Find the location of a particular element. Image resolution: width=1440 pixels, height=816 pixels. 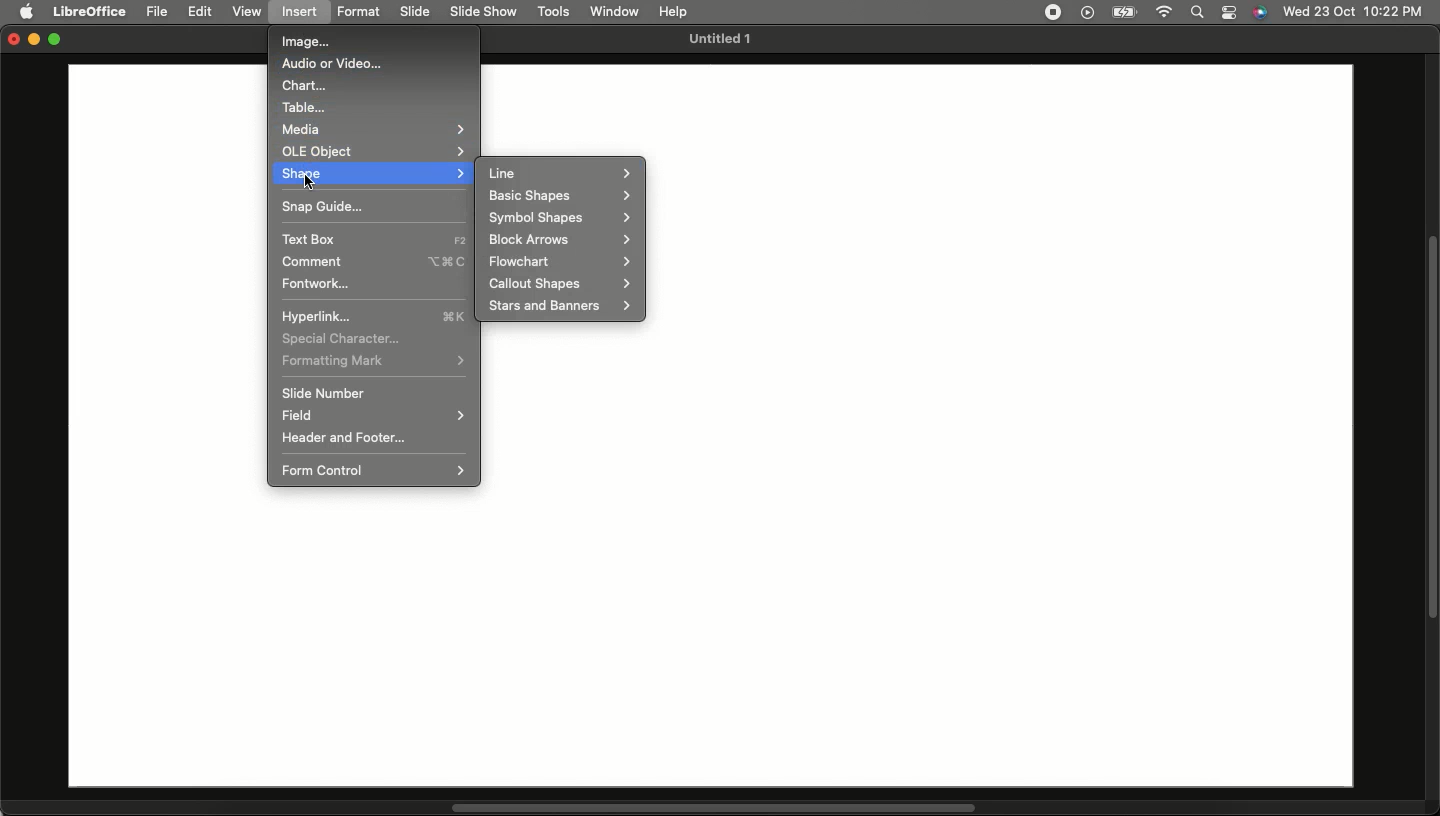

Notification bar is located at coordinates (1230, 13).